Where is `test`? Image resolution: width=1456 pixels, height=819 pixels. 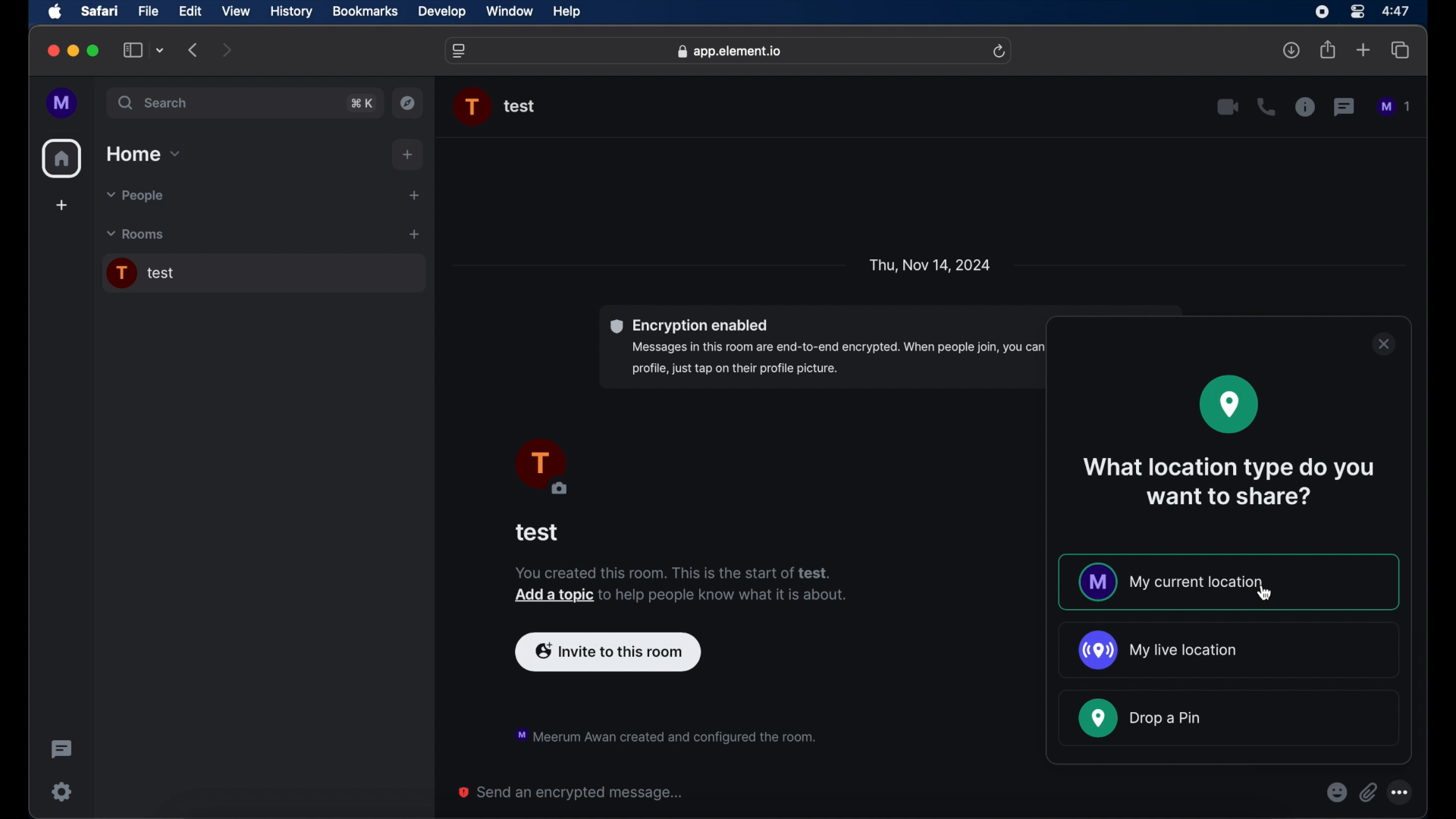
test is located at coordinates (538, 532).